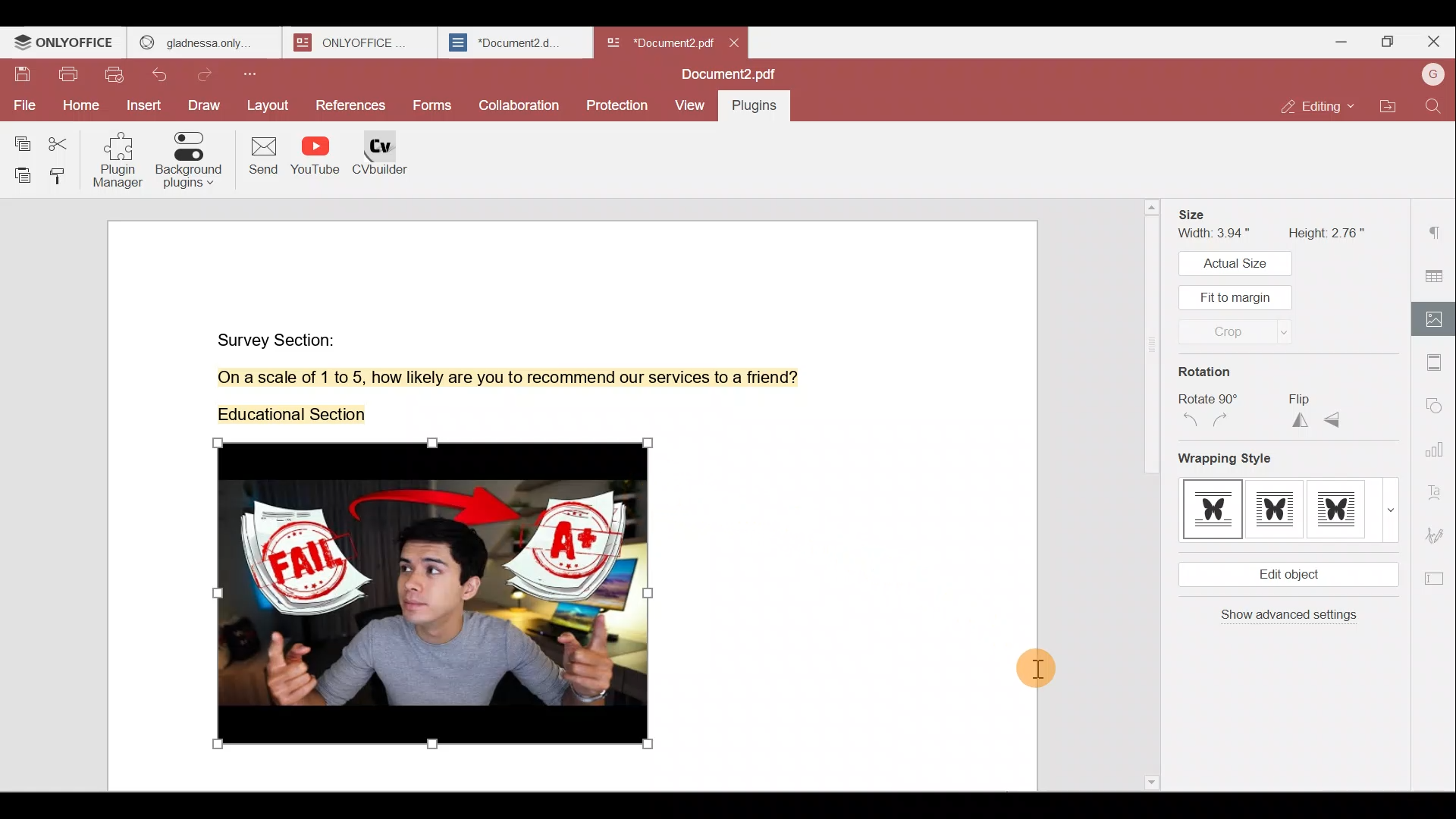 The width and height of the screenshot is (1456, 819). Describe the element at coordinates (1366, 508) in the screenshot. I see `Style 3` at that location.